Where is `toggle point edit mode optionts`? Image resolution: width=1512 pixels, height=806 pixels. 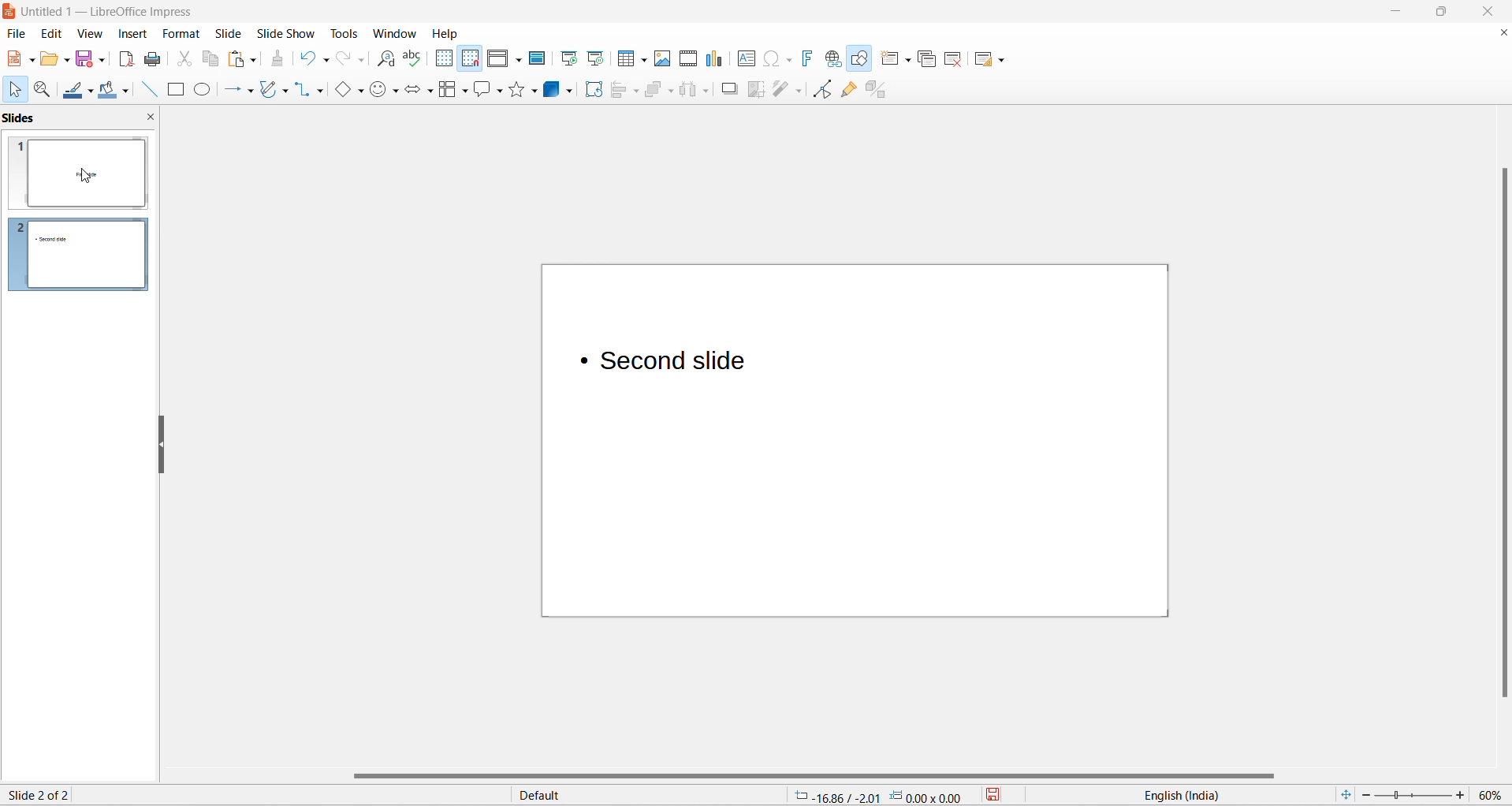 toggle point edit mode optionts is located at coordinates (796, 91).